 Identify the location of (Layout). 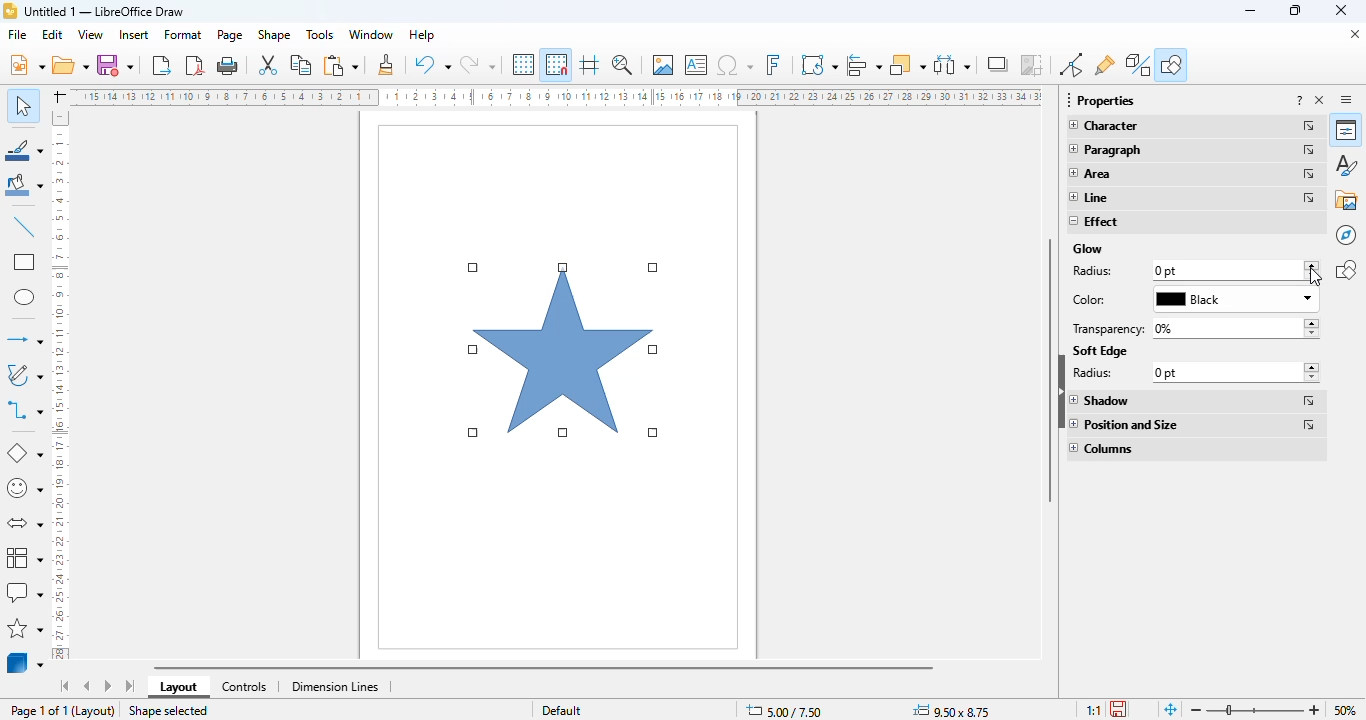
(94, 712).